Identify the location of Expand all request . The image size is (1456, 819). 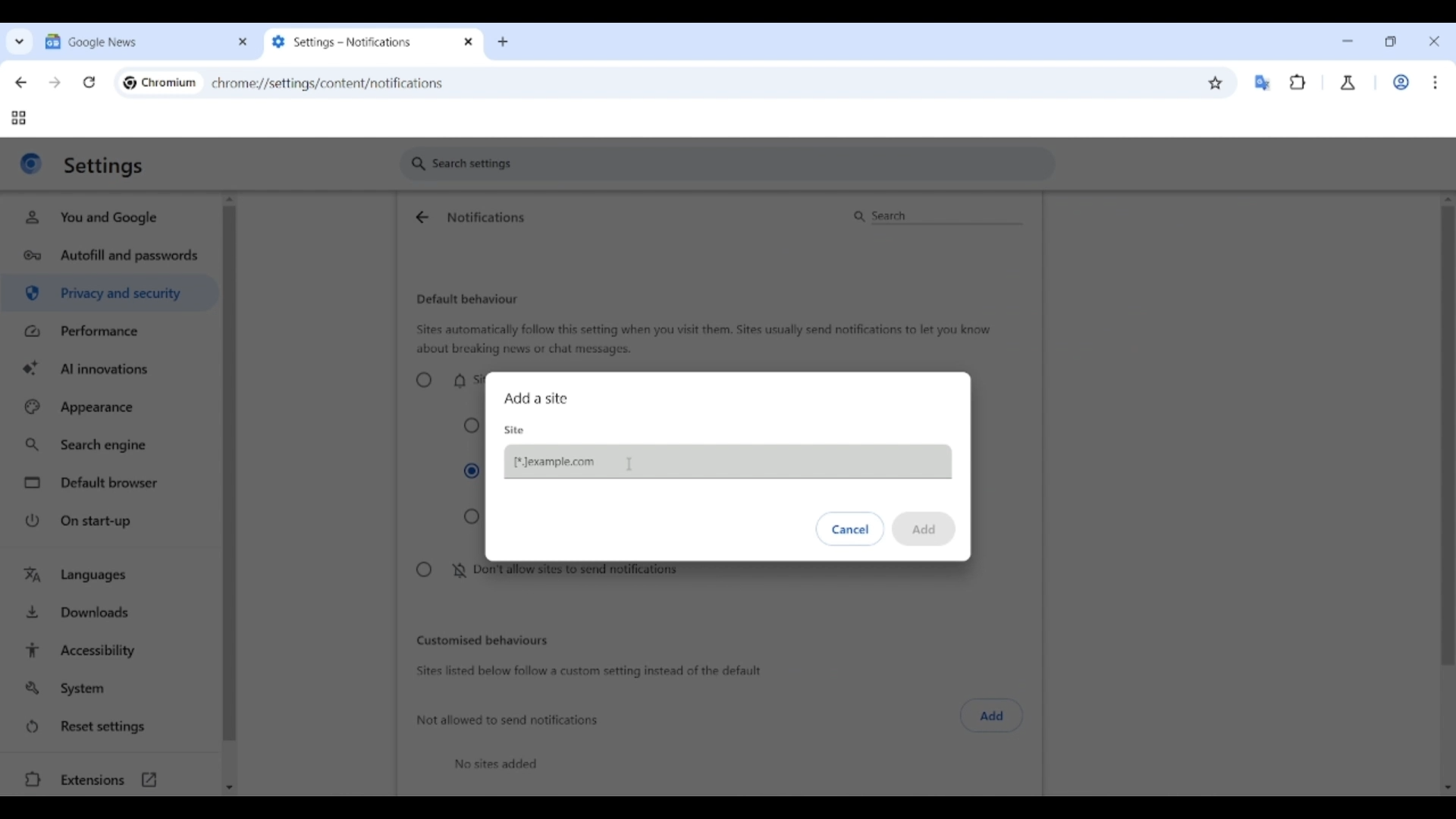
(472, 517).